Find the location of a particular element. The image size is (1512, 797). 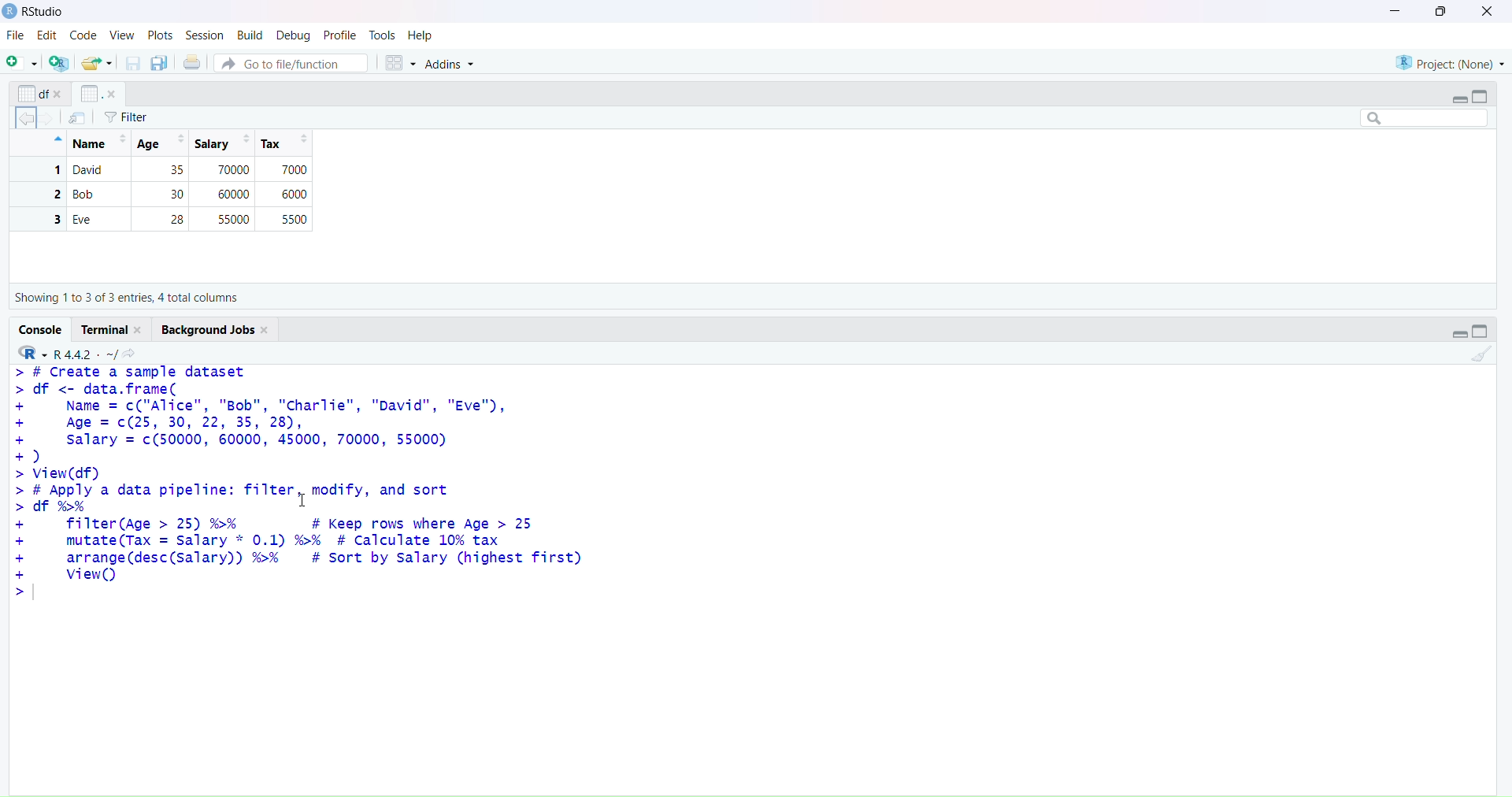

session is located at coordinates (206, 35).